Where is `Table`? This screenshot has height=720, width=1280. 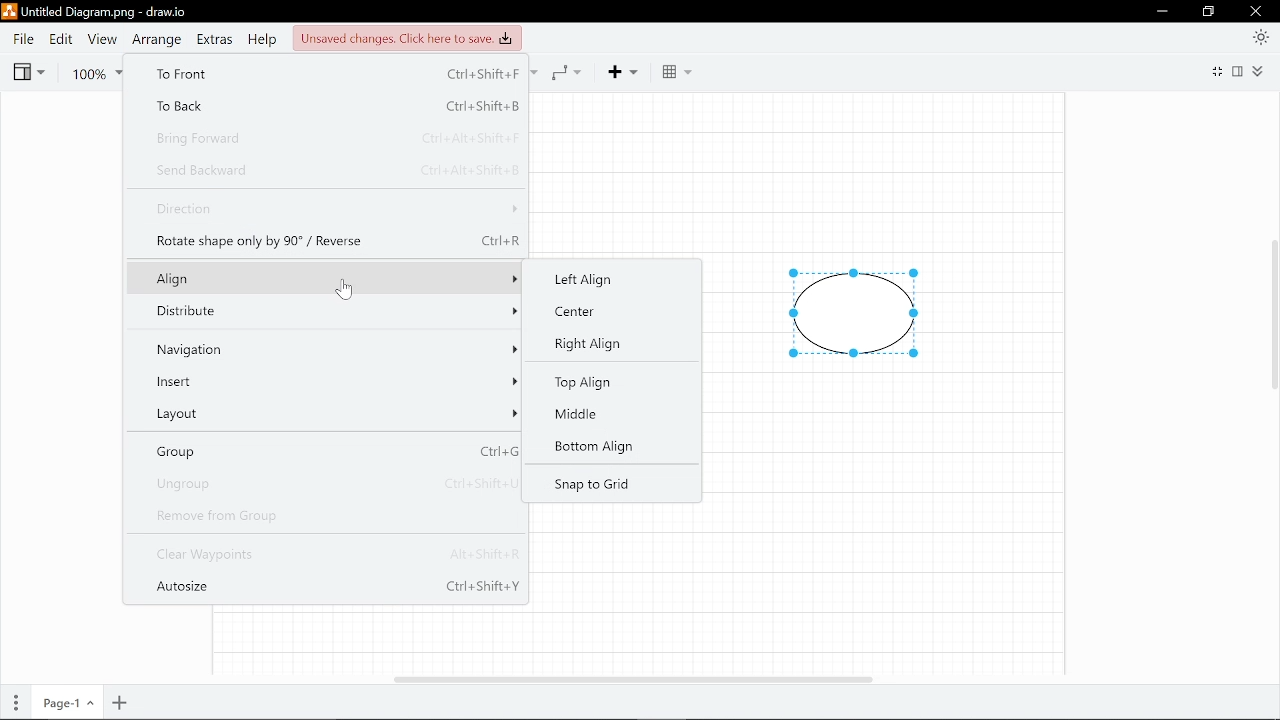 Table is located at coordinates (676, 72).